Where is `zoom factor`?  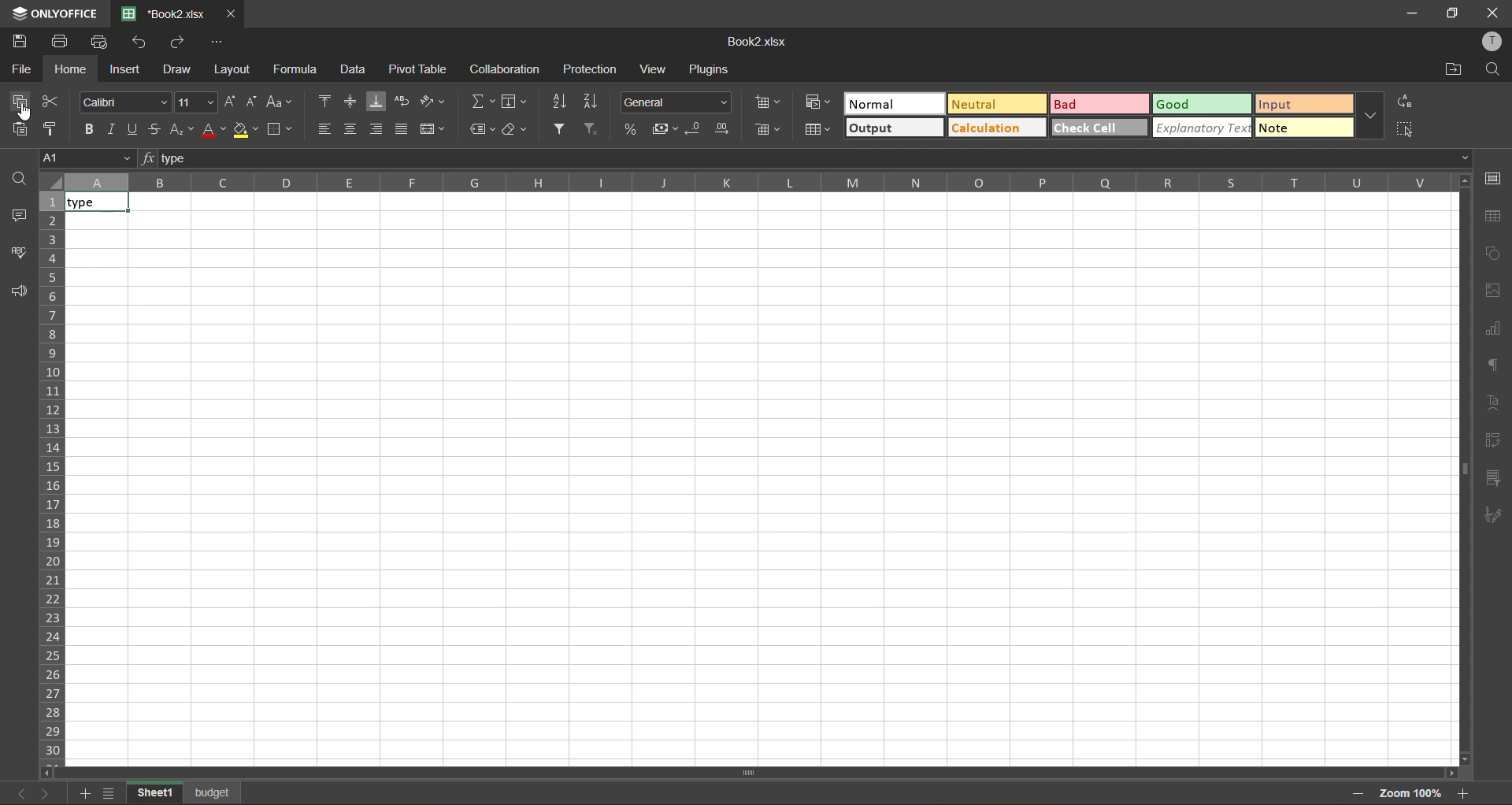
zoom factor is located at coordinates (1411, 792).